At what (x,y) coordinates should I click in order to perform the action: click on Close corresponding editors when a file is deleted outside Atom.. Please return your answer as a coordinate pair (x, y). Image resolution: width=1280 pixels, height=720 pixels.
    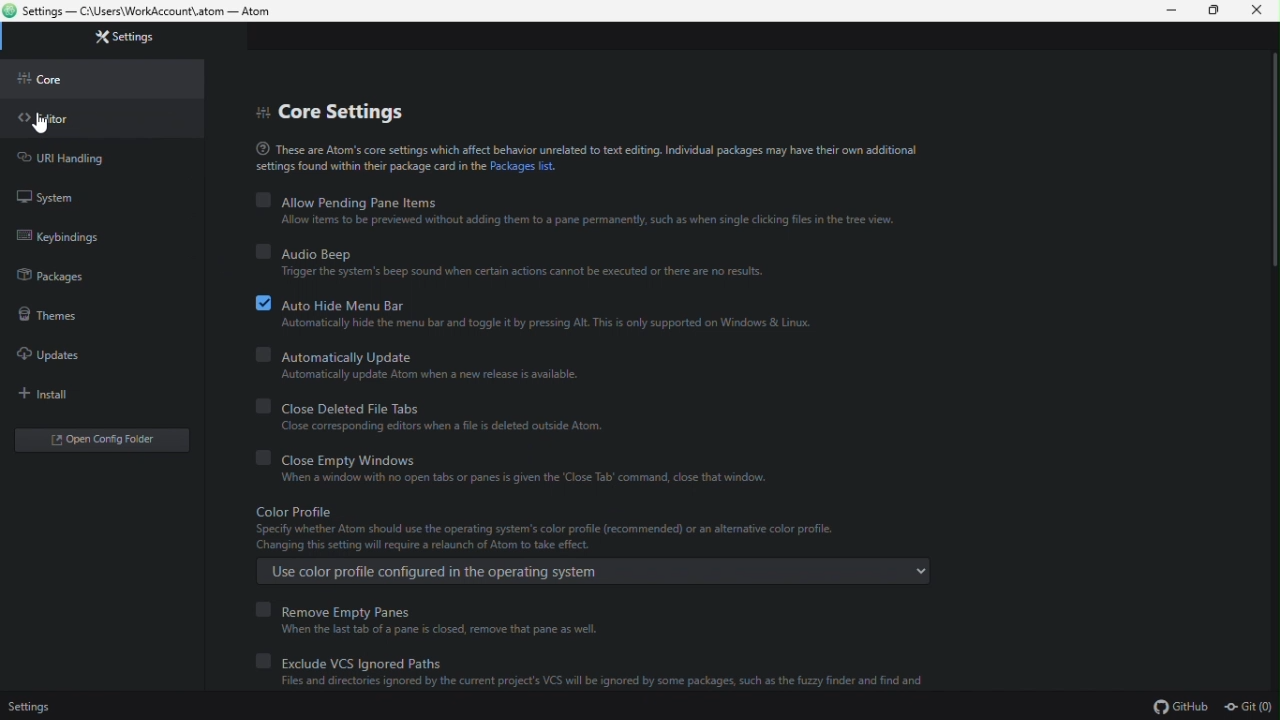
    Looking at the image, I should click on (448, 425).